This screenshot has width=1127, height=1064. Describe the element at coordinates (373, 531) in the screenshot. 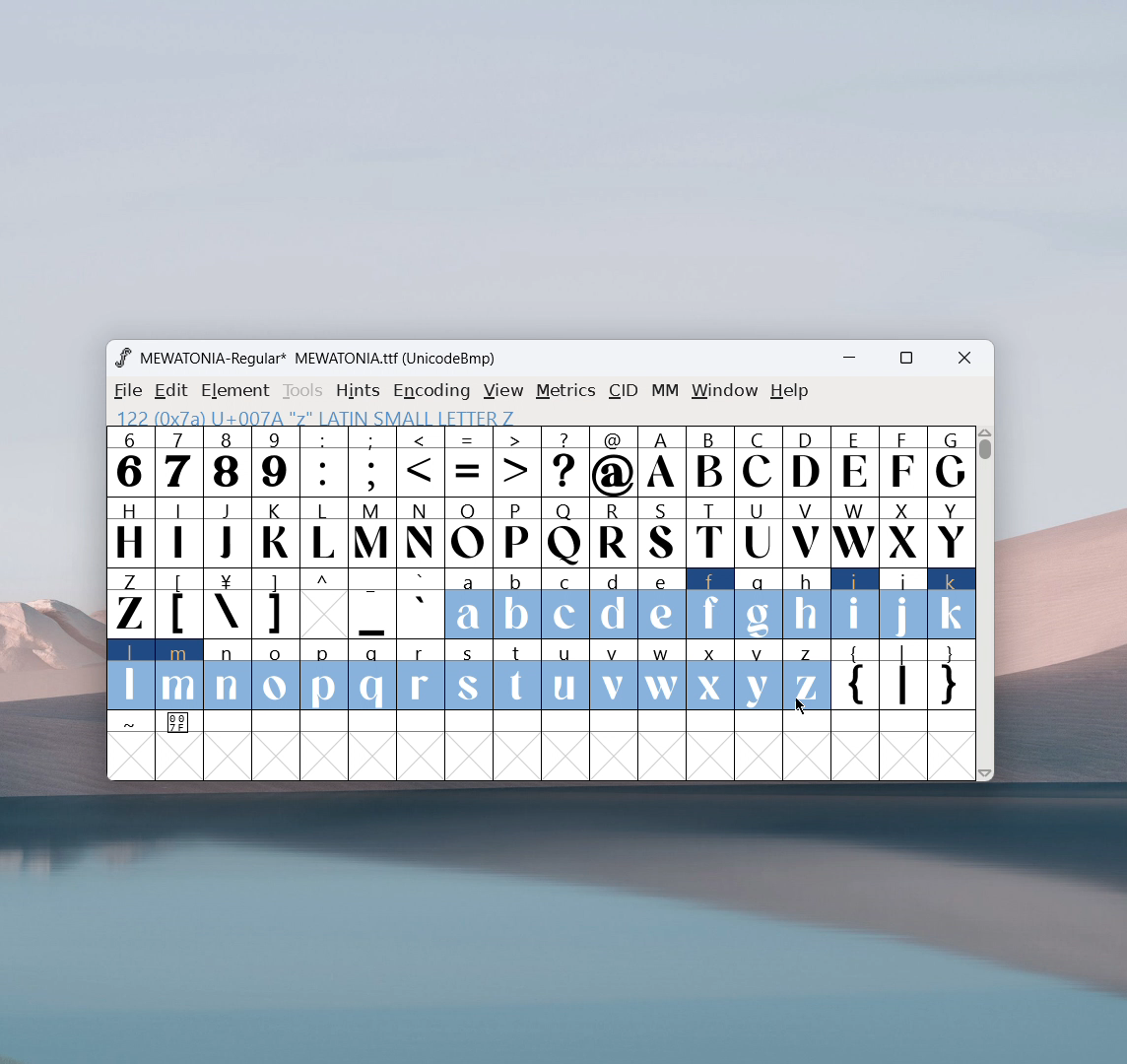

I see `M` at that location.